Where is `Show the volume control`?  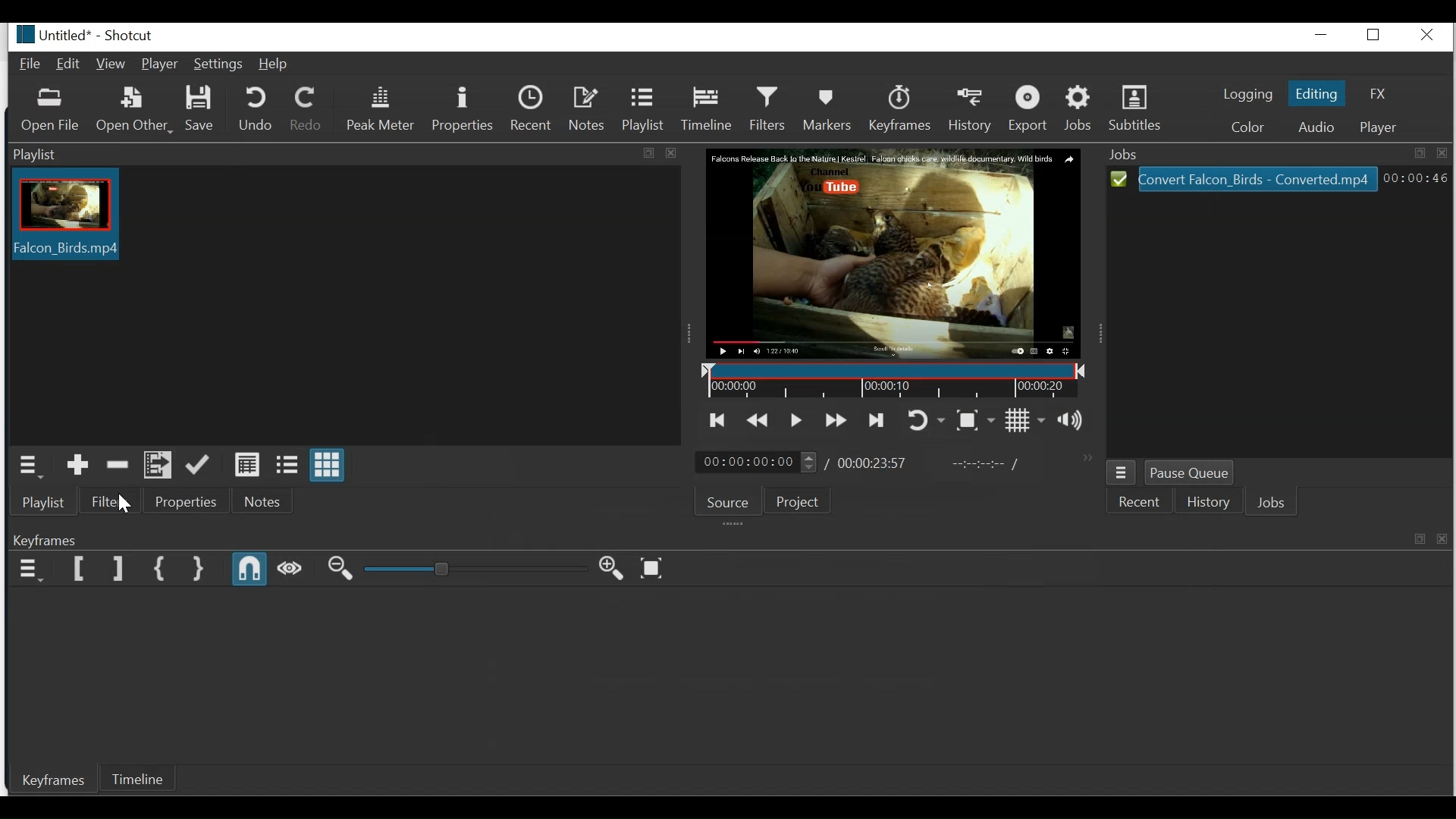
Show the volume control is located at coordinates (1072, 419).